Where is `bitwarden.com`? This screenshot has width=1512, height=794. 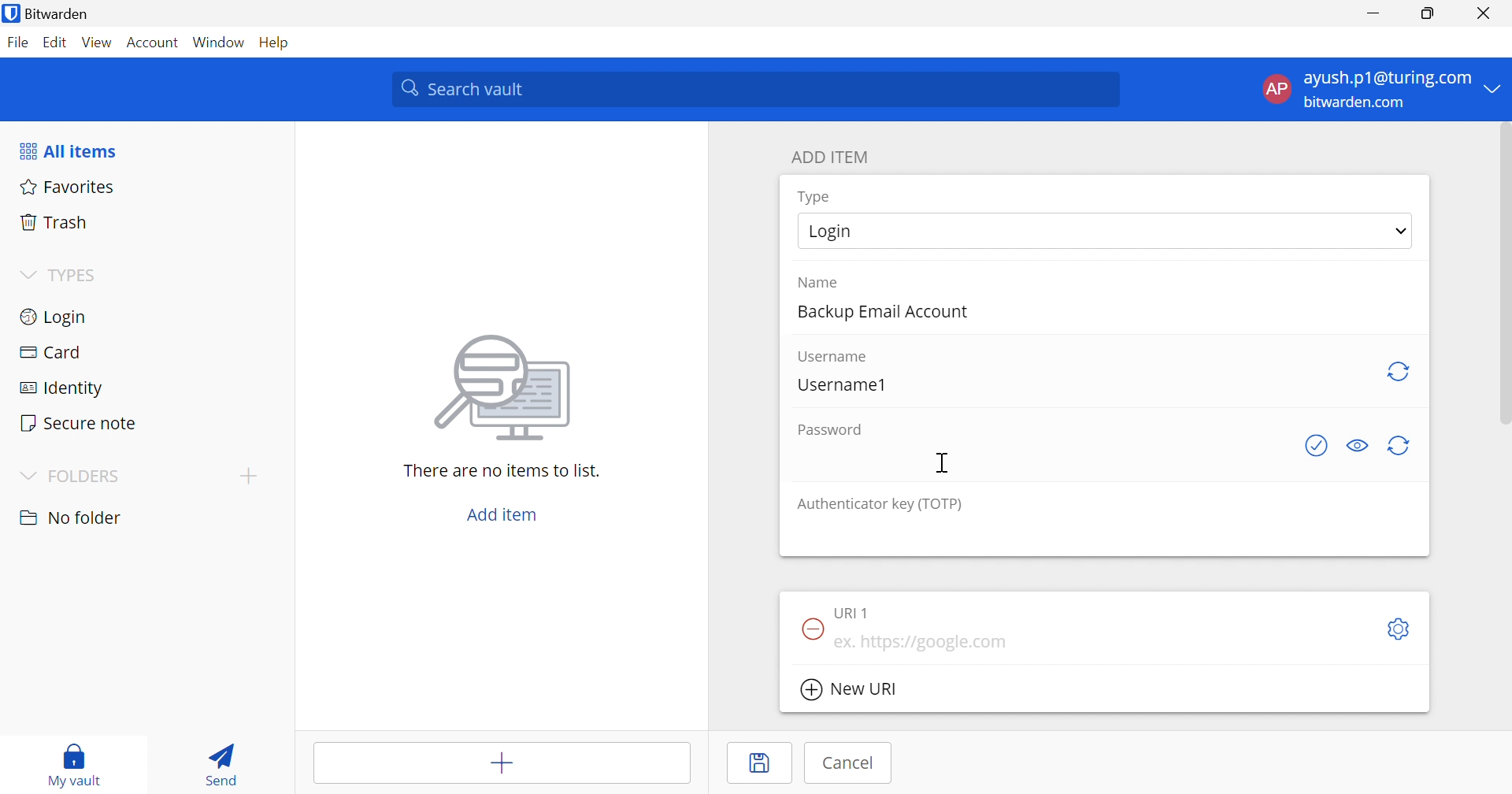
bitwarden.com is located at coordinates (1358, 103).